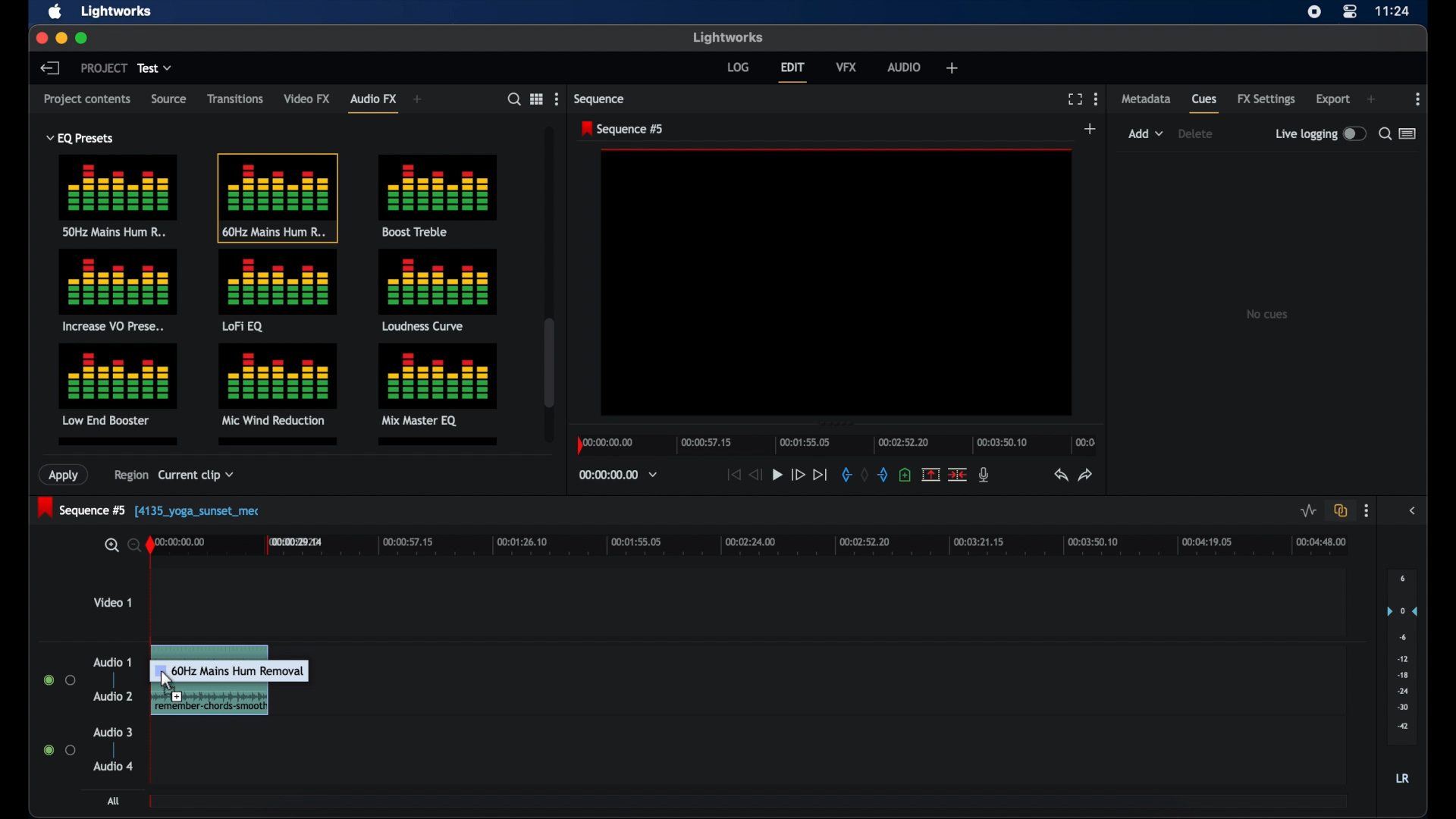 The image size is (1456, 819). What do you see at coordinates (126, 478) in the screenshot?
I see `region` at bounding box center [126, 478].